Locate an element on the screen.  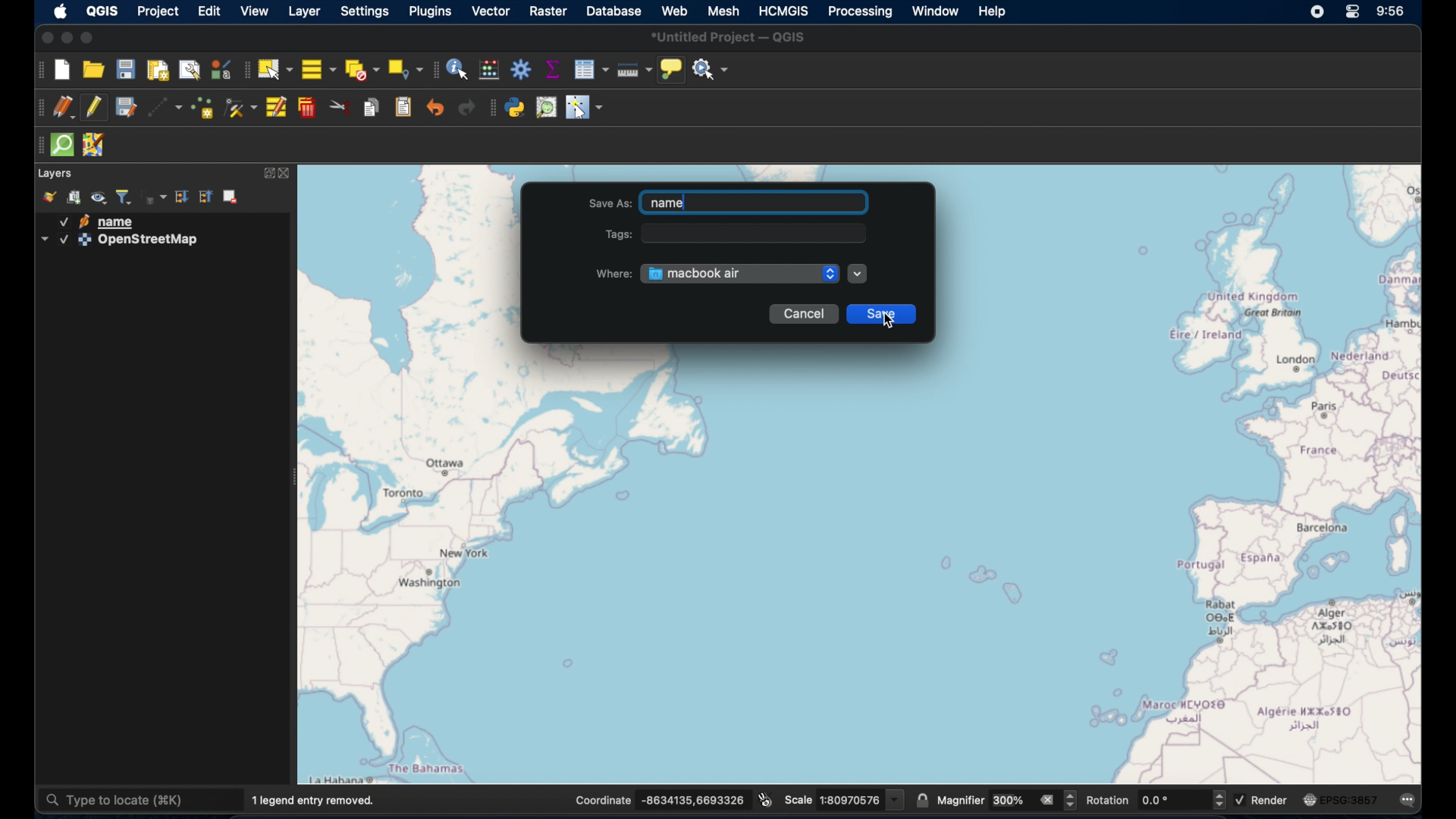
type to locate is located at coordinates (139, 799).